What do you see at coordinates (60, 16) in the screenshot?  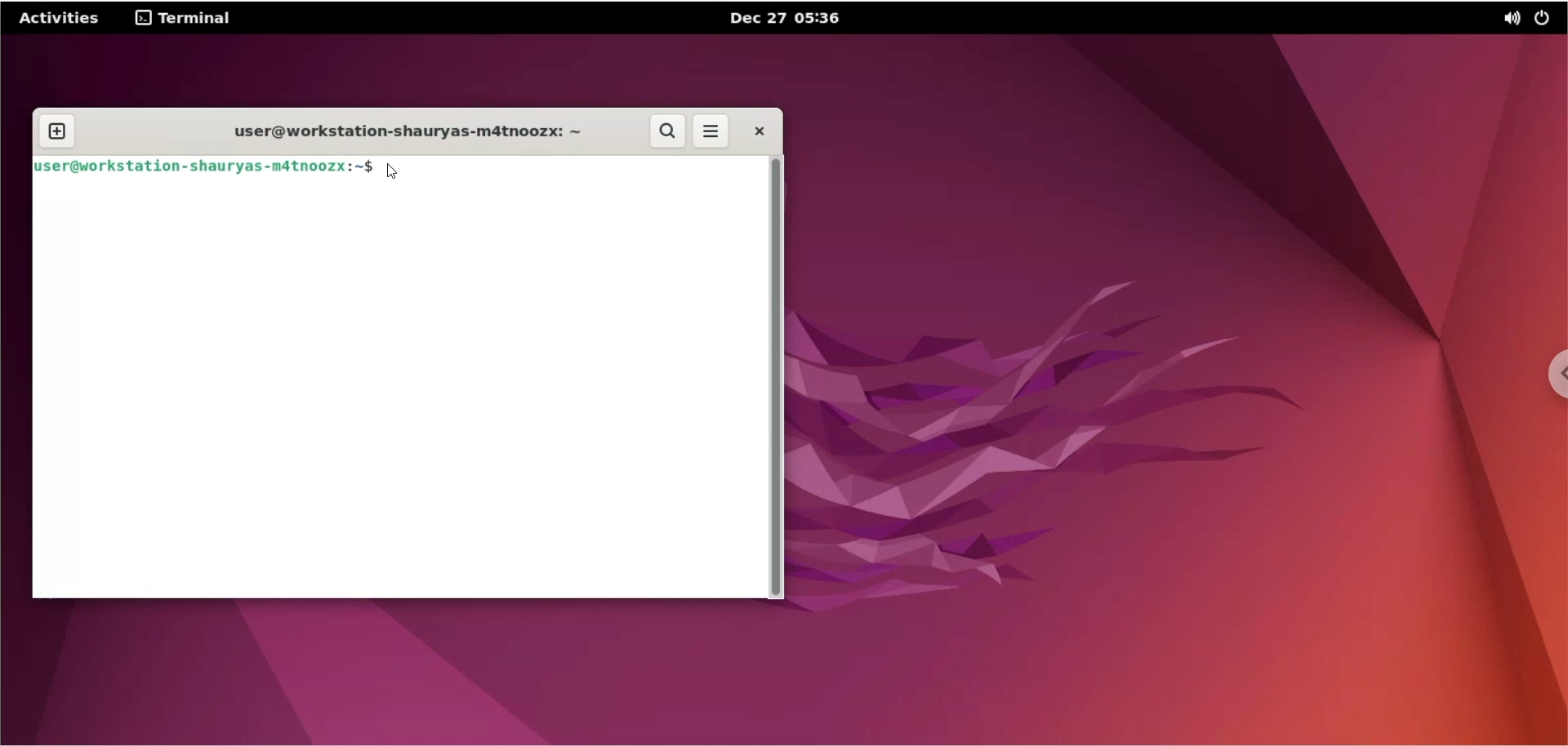 I see `Activities` at bounding box center [60, 16].